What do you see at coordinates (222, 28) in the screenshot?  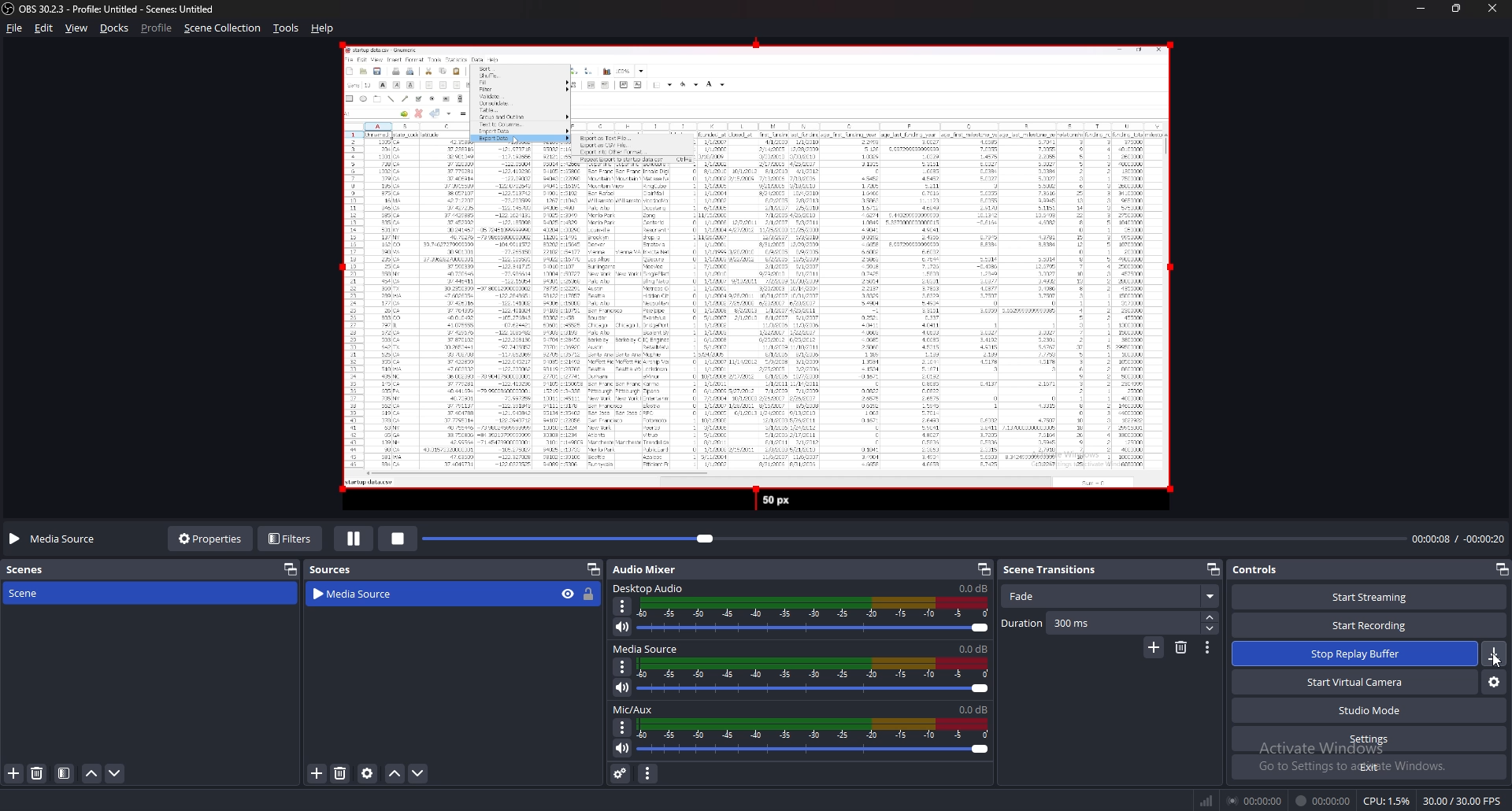 I see `scene collection` at bounding box center [222, 28].